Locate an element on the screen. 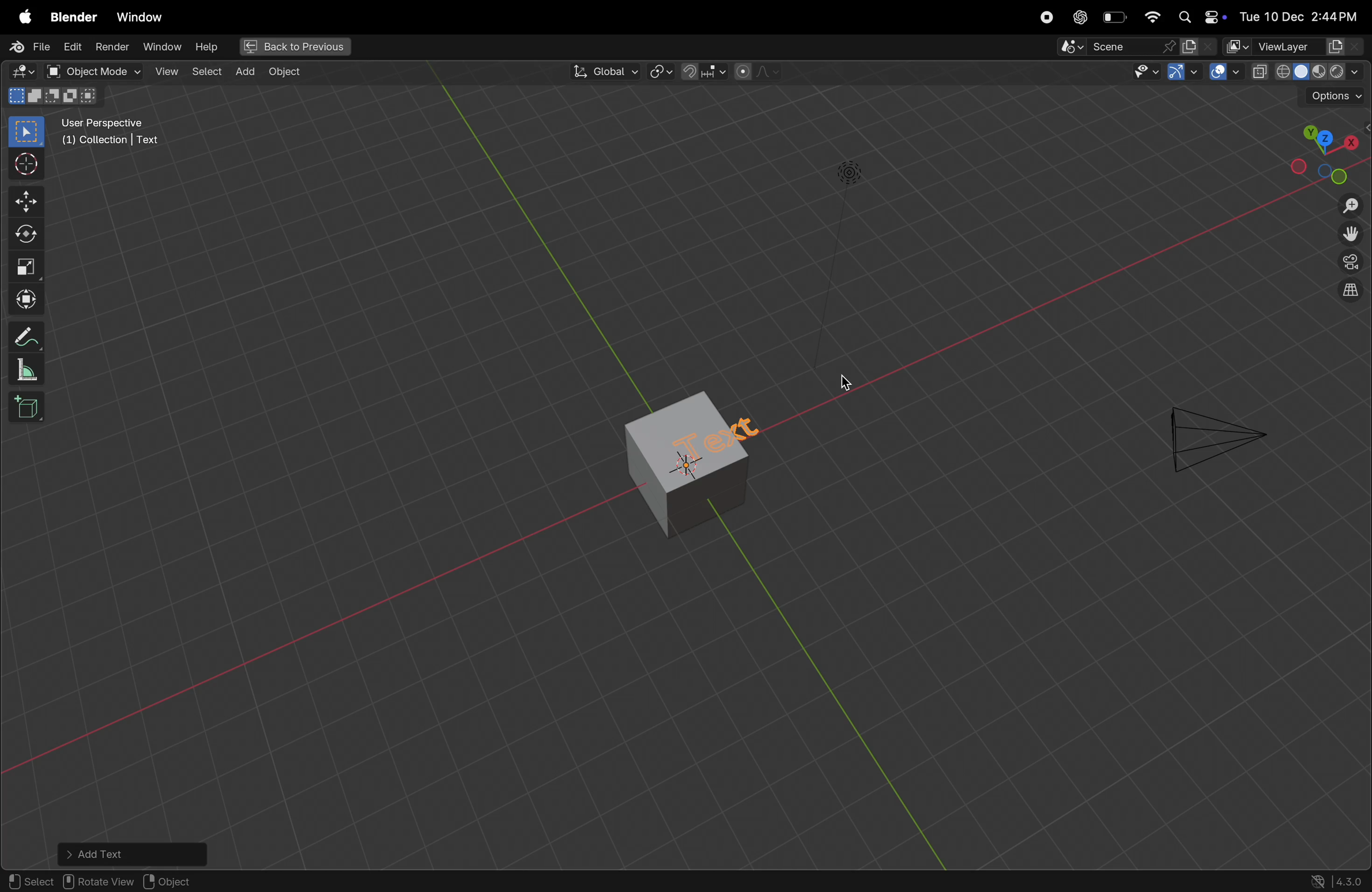  view is located at coordinates (166, 73).